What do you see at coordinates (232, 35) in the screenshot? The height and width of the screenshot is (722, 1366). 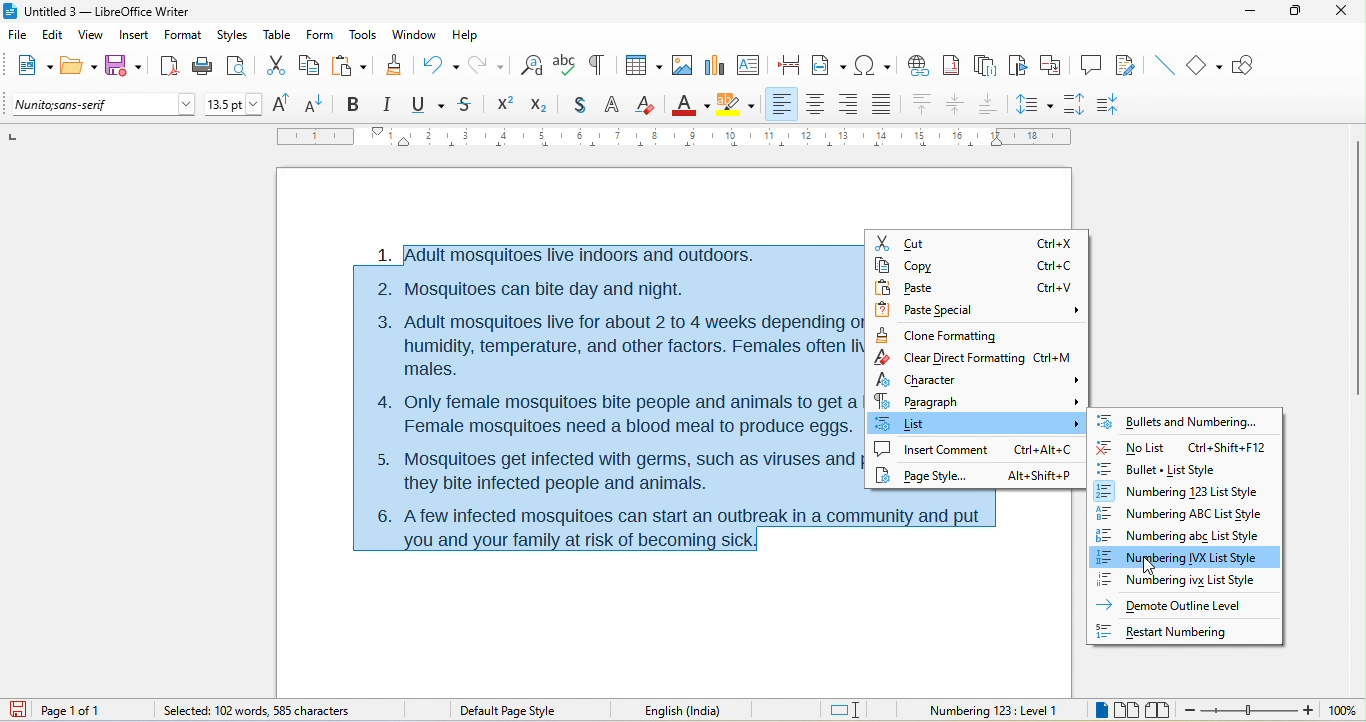 I see `styles` at bounding box center [232, 35].